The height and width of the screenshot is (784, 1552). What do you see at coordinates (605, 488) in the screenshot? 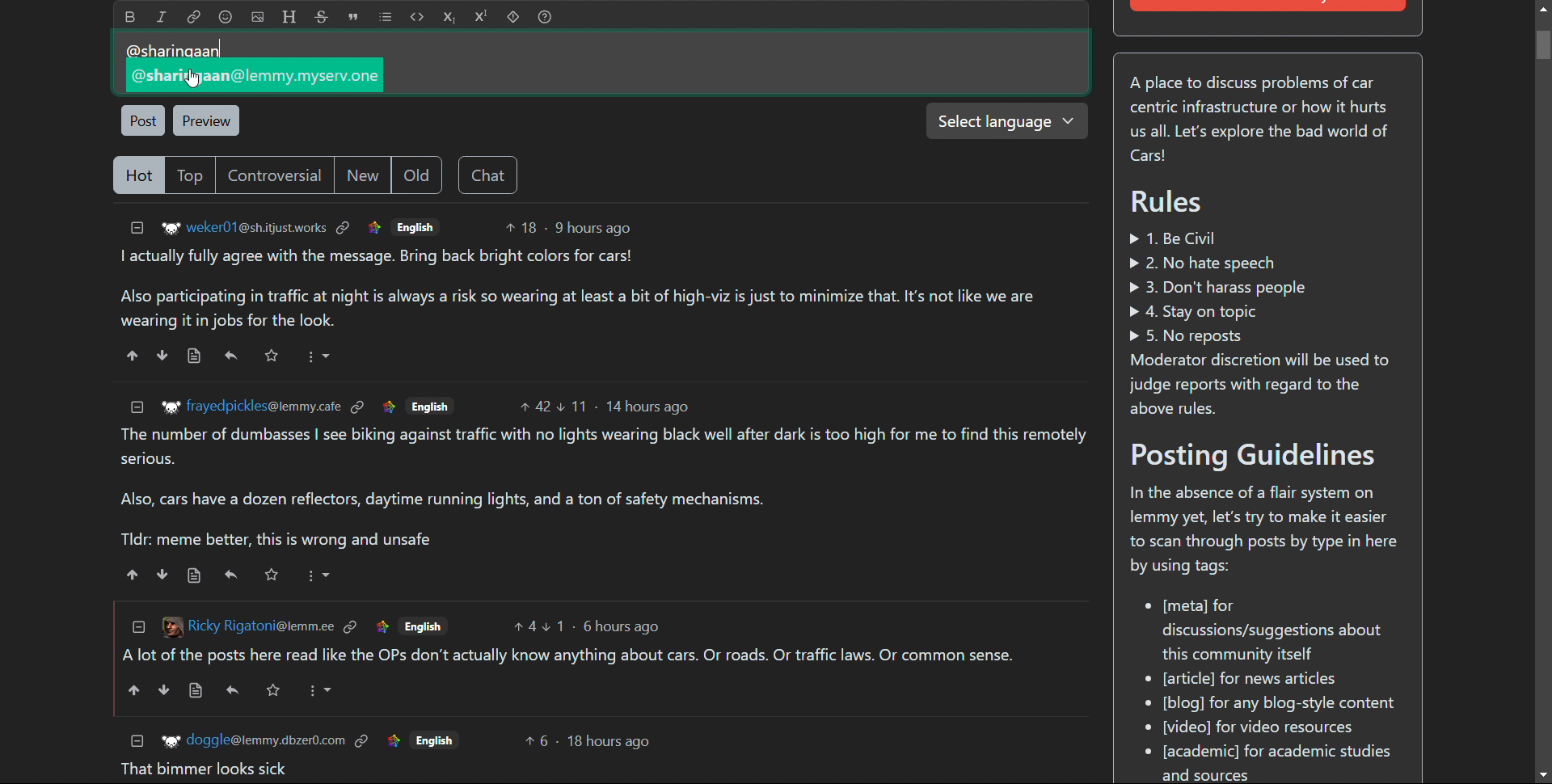
I see `The number of dumbasses | see biking against traffic with no lights wearing black well after dark is too high for me to find this remotely
serious.

Also, cars have a dozen reflectors, daytime running lights, and a ton of safety mechanisms.

Tldr: meme better, this is wrong and unsafe` at bounding box center [605, 488].